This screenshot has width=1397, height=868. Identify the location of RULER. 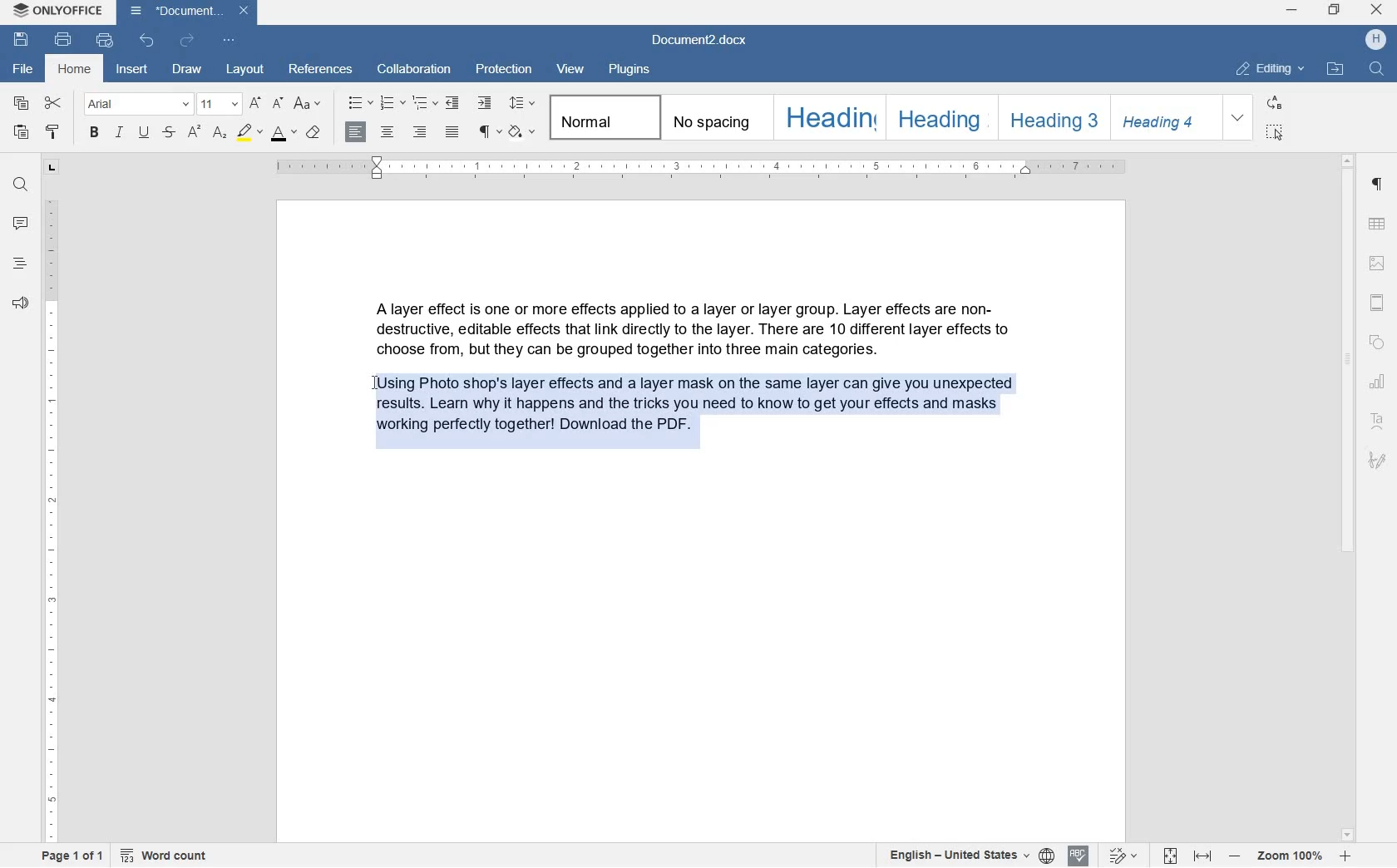
(713, 170).